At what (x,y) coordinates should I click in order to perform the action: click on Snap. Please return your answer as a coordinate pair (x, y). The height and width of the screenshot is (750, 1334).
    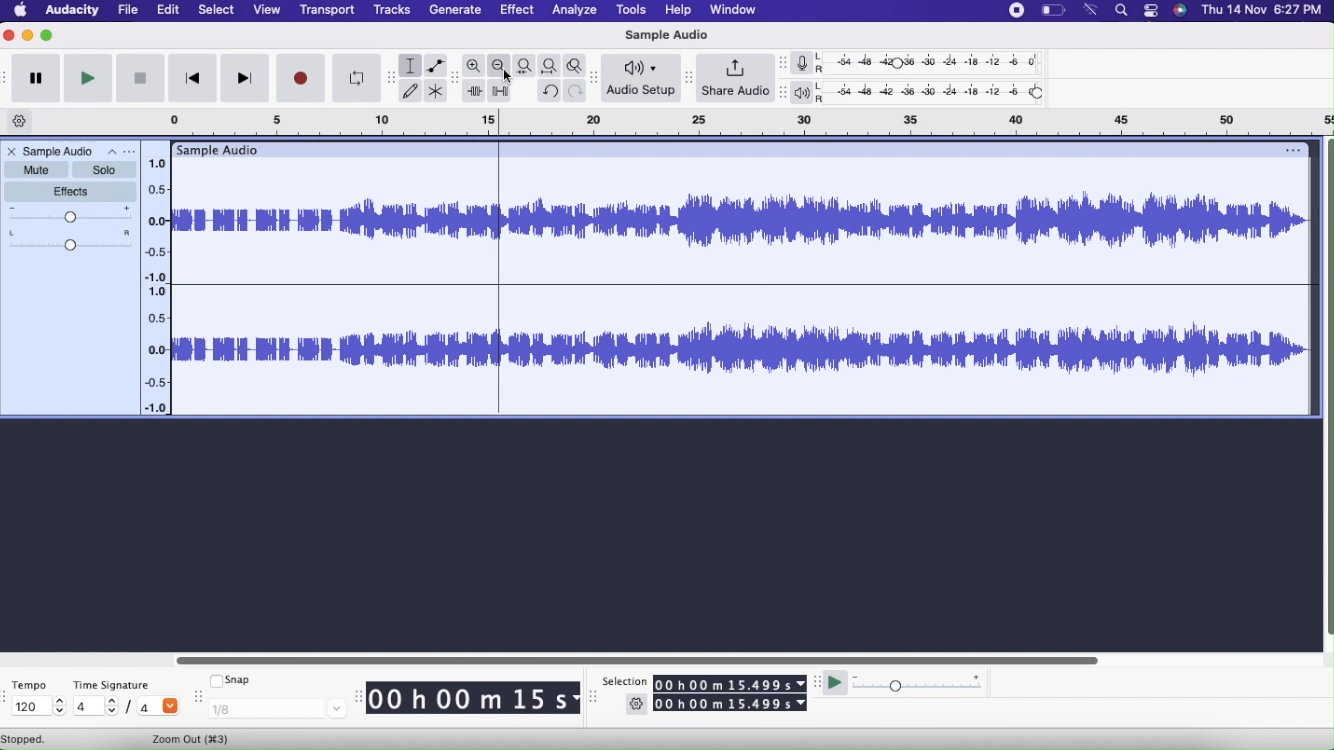
    Looking at the image, I should click on (236, 681).